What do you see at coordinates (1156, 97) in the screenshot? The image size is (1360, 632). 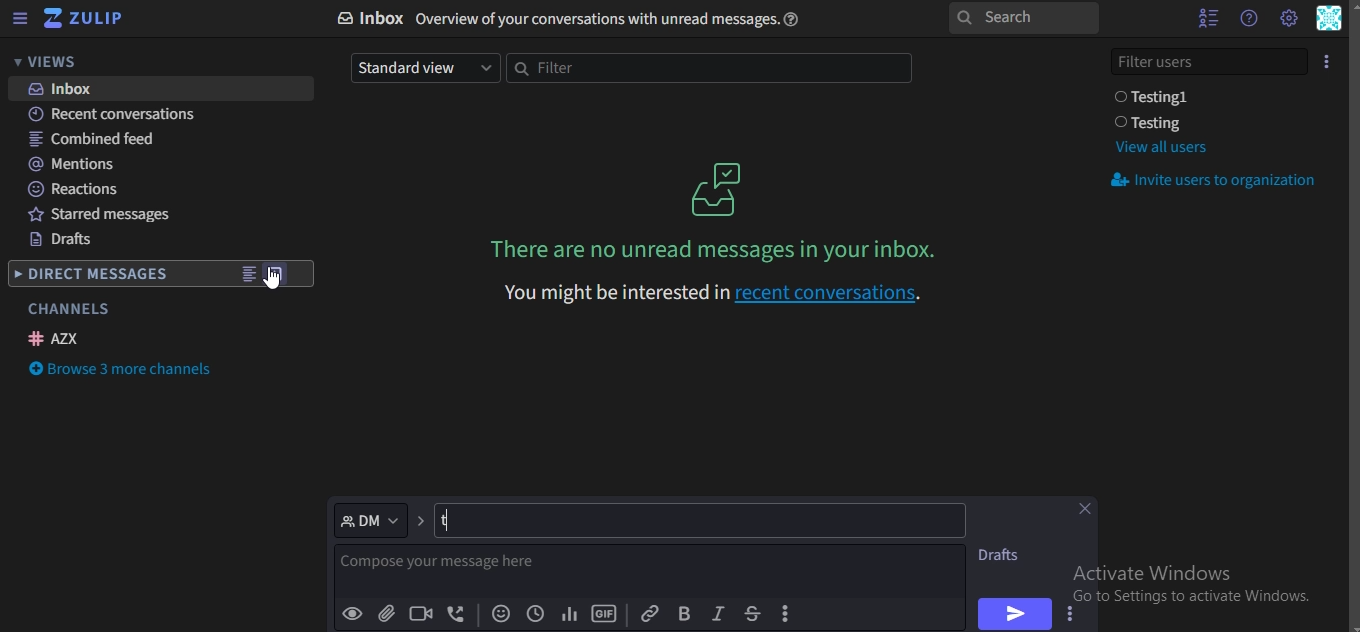 I see `testing1` at bounding box center [1156, 97].